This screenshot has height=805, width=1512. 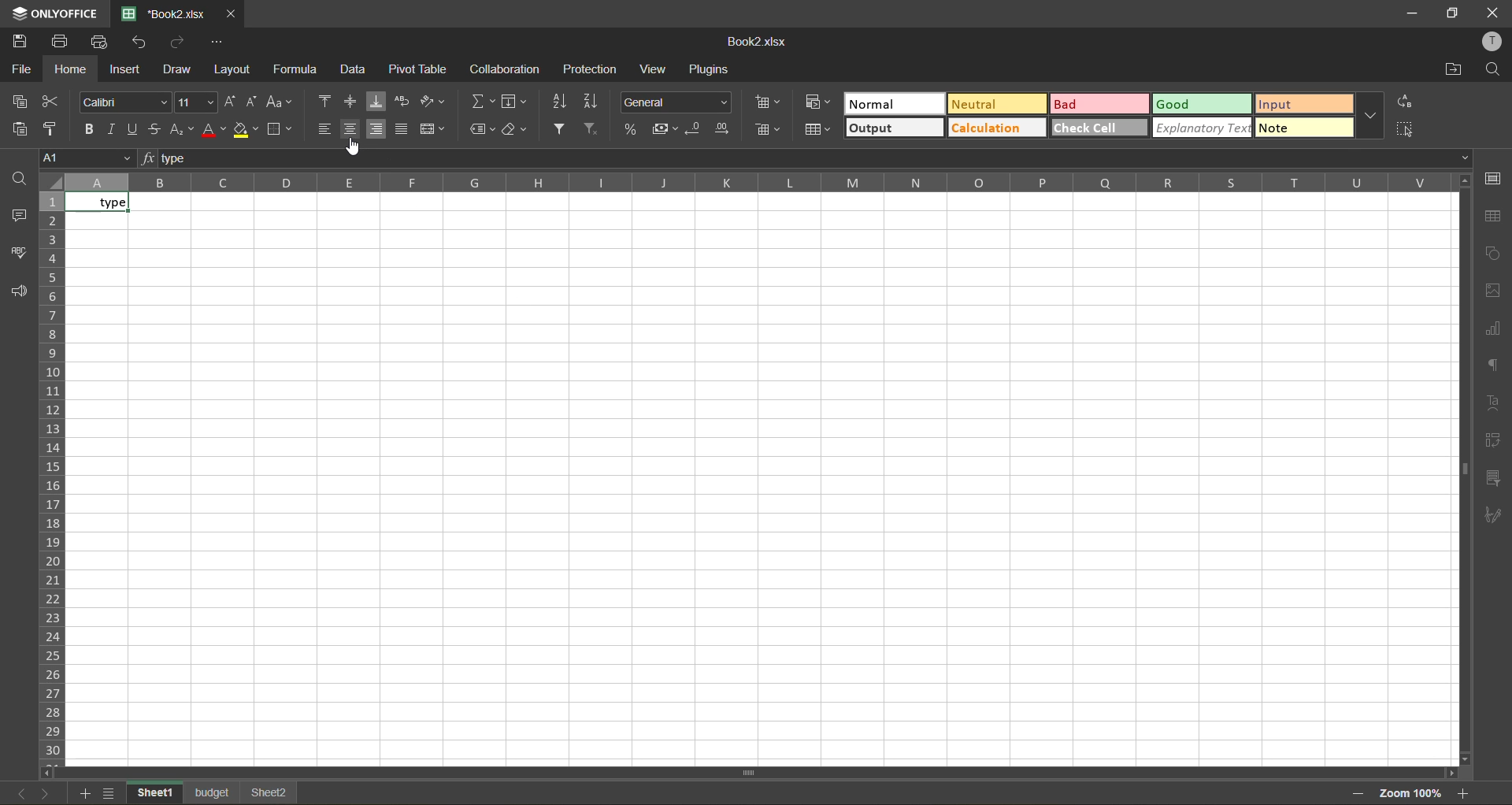 What do you see at coordinates (215, 132) in the screenshot?
I see `font color` at bounding box center [215, 132].